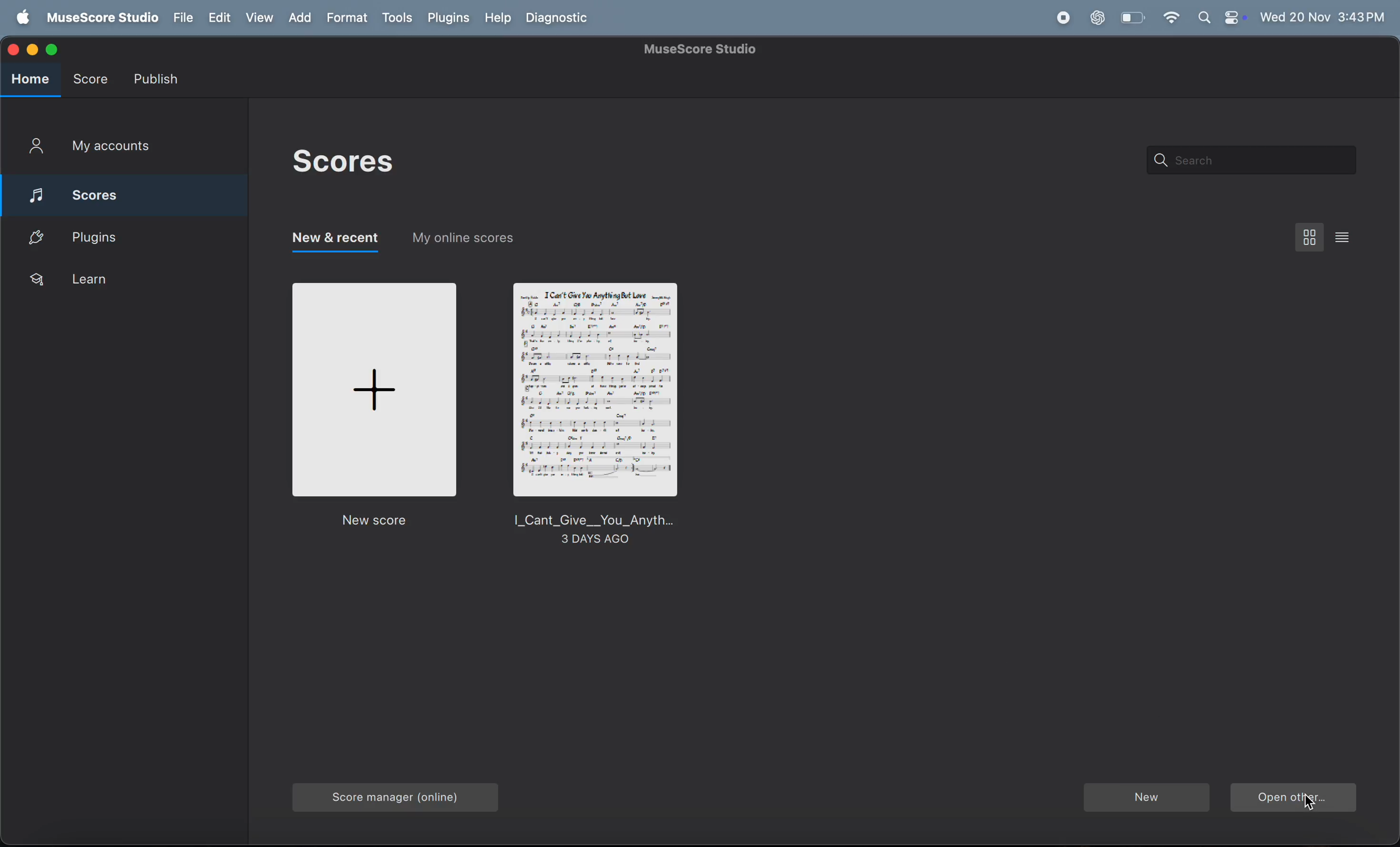  I want to click on home, so click(28, 81).